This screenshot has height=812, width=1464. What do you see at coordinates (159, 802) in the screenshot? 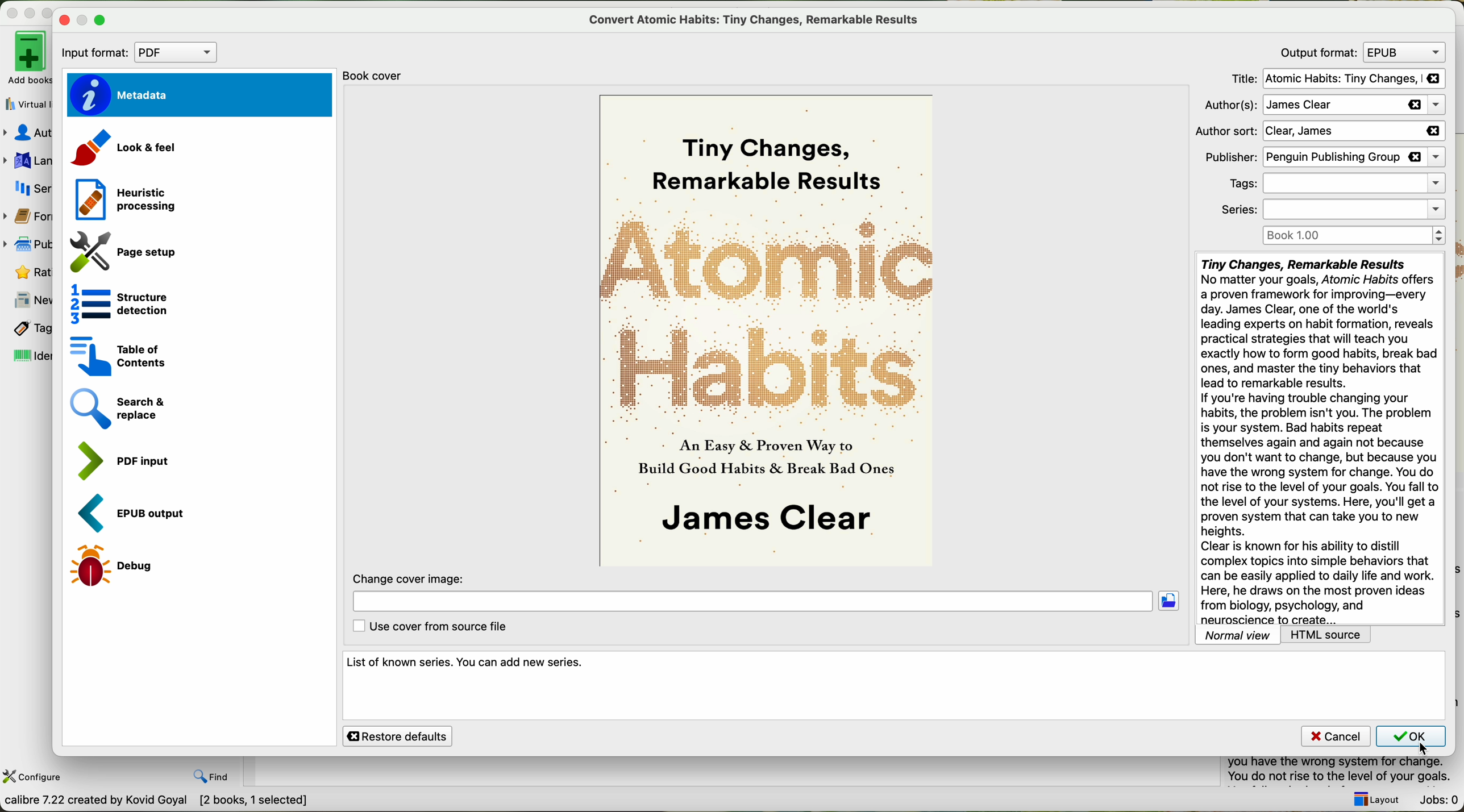
I see `calibre 7.22` at bounding box center [159, 802].